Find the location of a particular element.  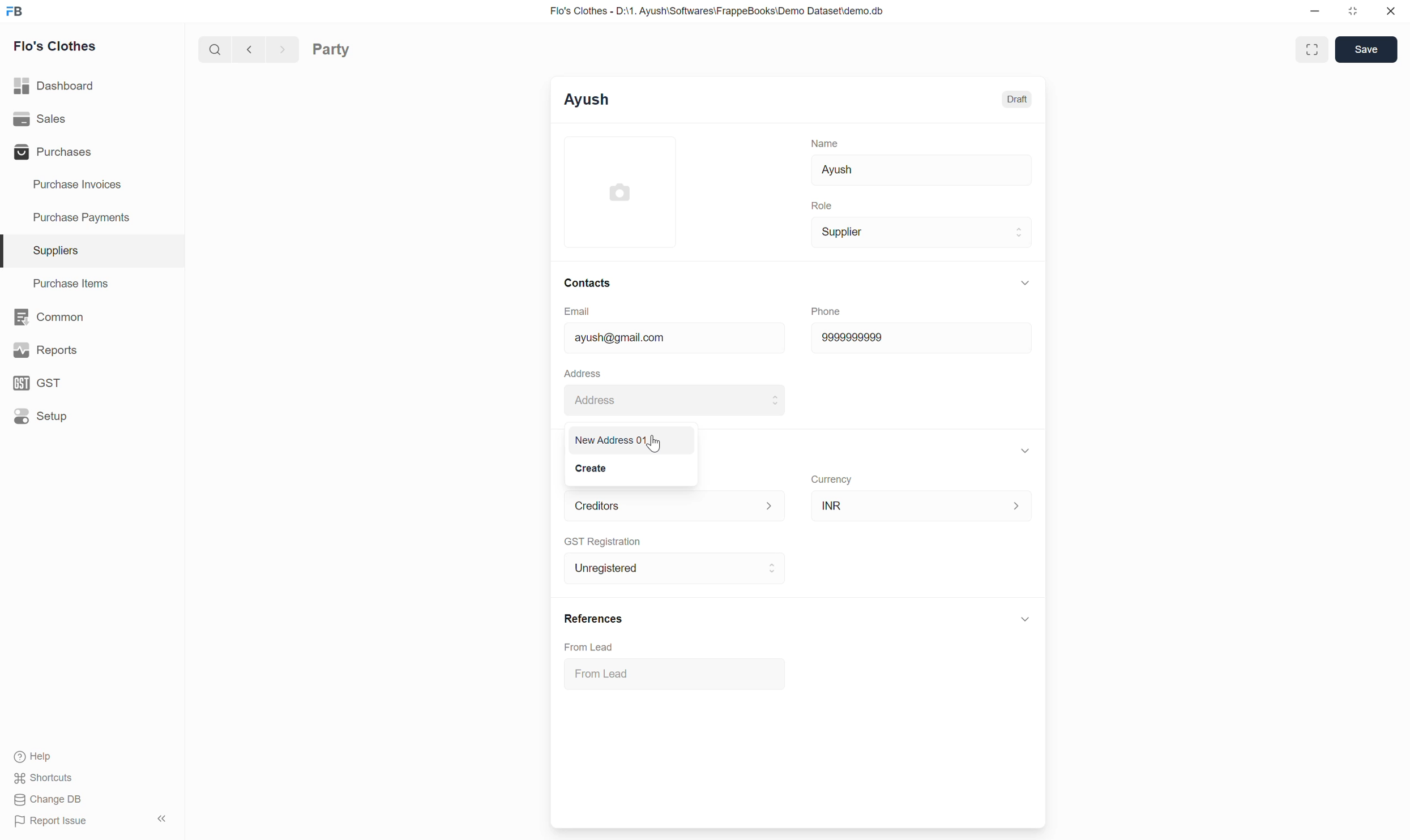

Ayush is located at coordinates (921, 170).